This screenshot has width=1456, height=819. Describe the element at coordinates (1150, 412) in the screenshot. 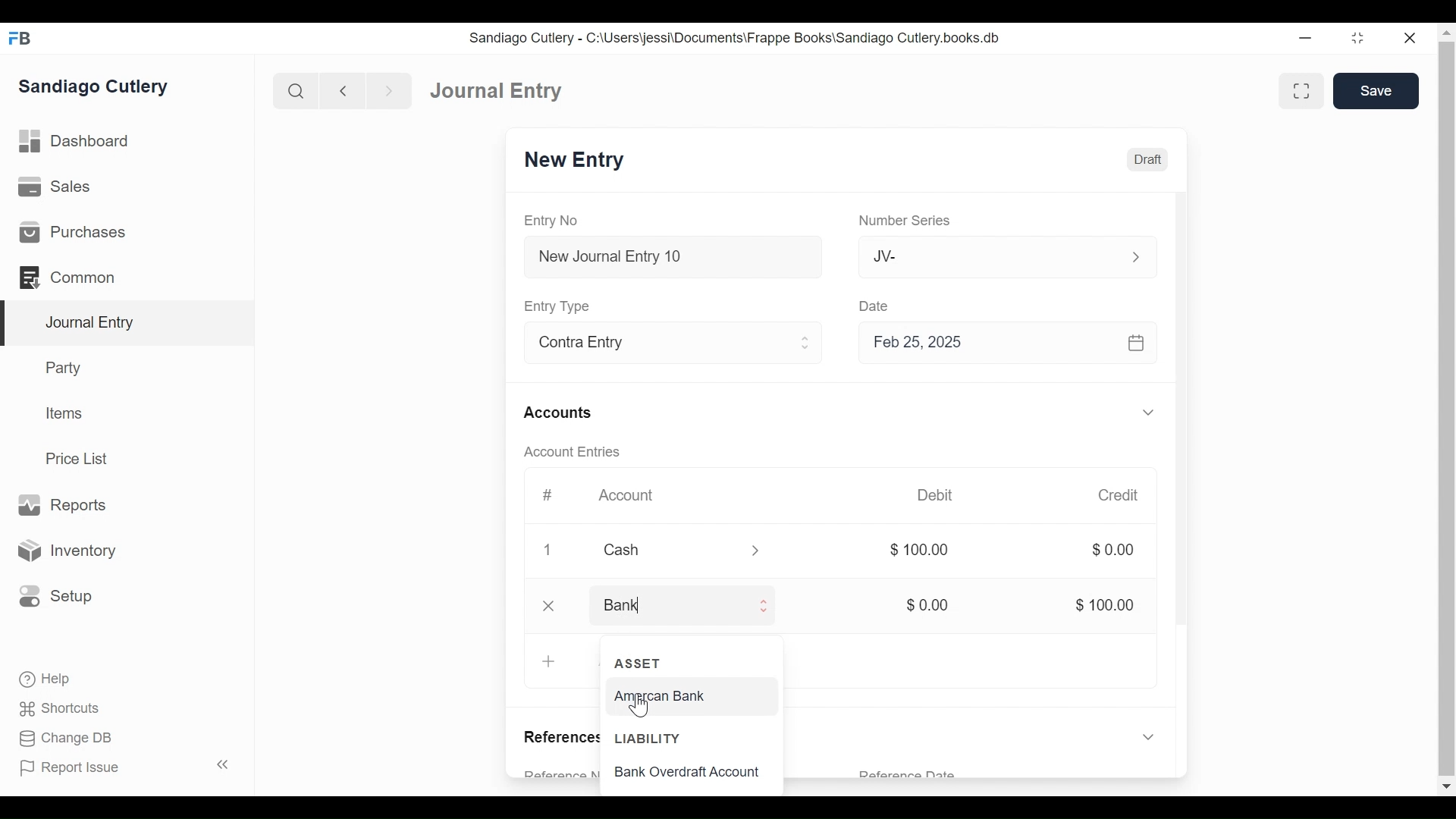

I see `Expand` at that location.